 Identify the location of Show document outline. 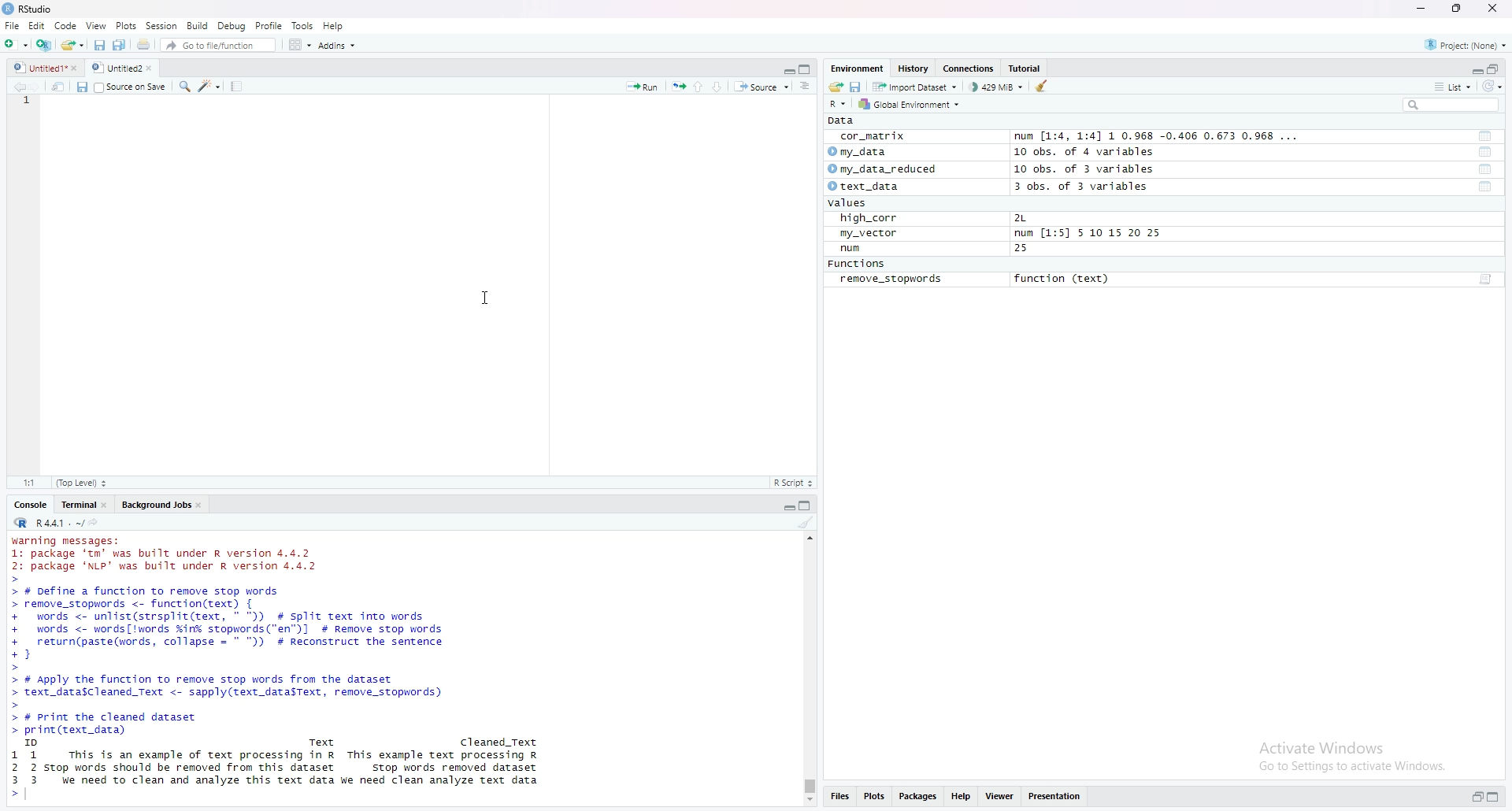
(804, 85).